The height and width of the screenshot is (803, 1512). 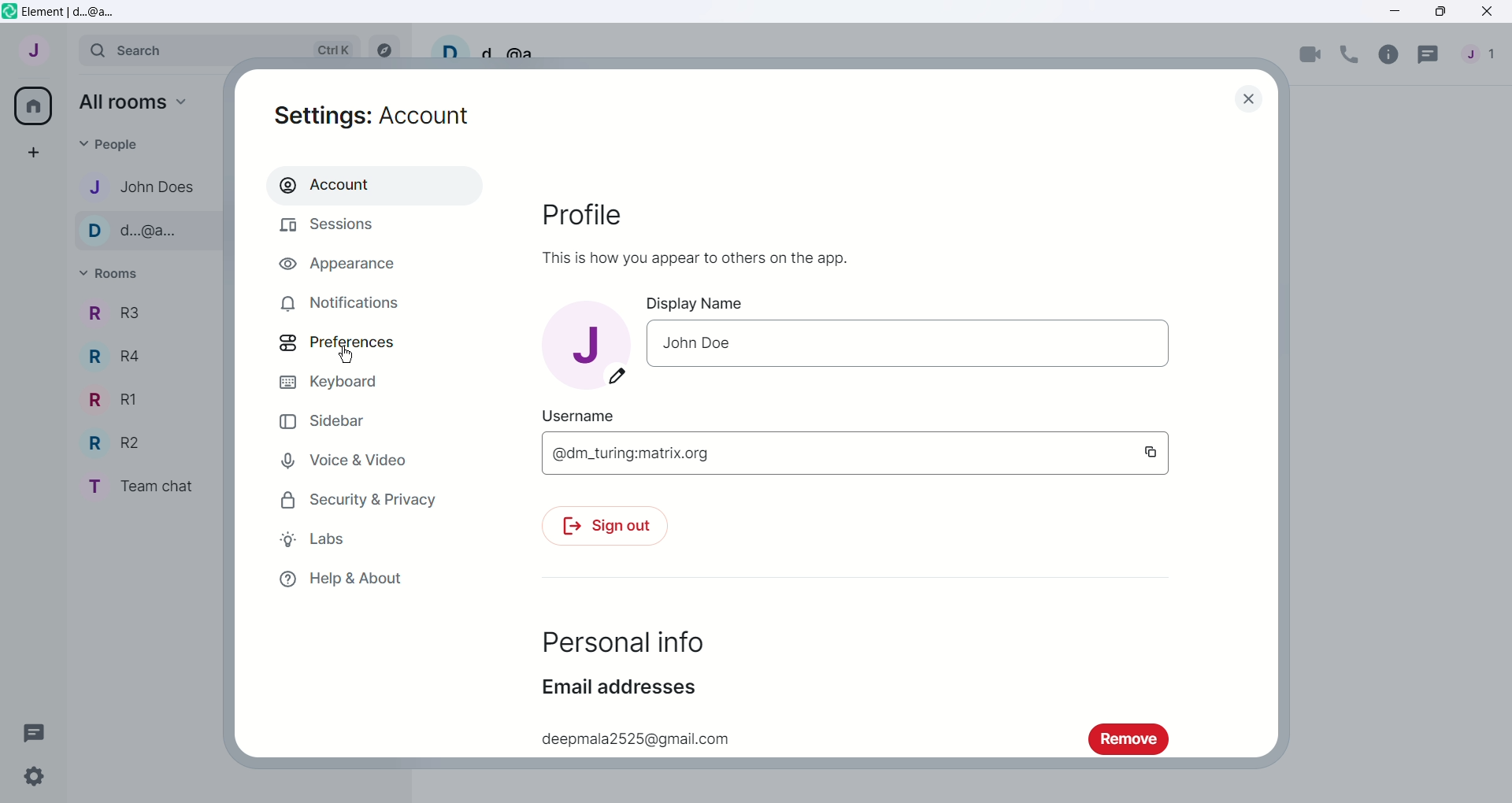 I want to click on Quick Settings, so click(x=34, y=777).